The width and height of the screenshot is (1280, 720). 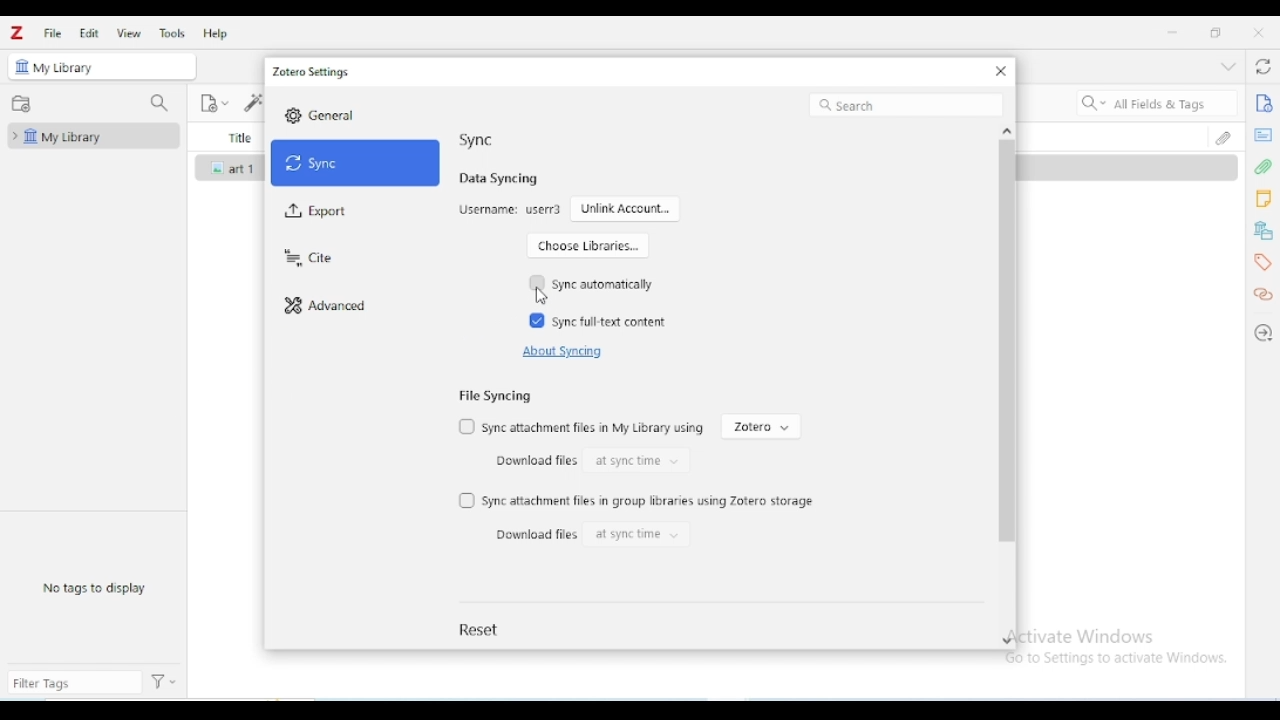 What do you see at coordinates (158, 103) in the screenshot?
I see `filter collections` at bounding box center [158, 103].